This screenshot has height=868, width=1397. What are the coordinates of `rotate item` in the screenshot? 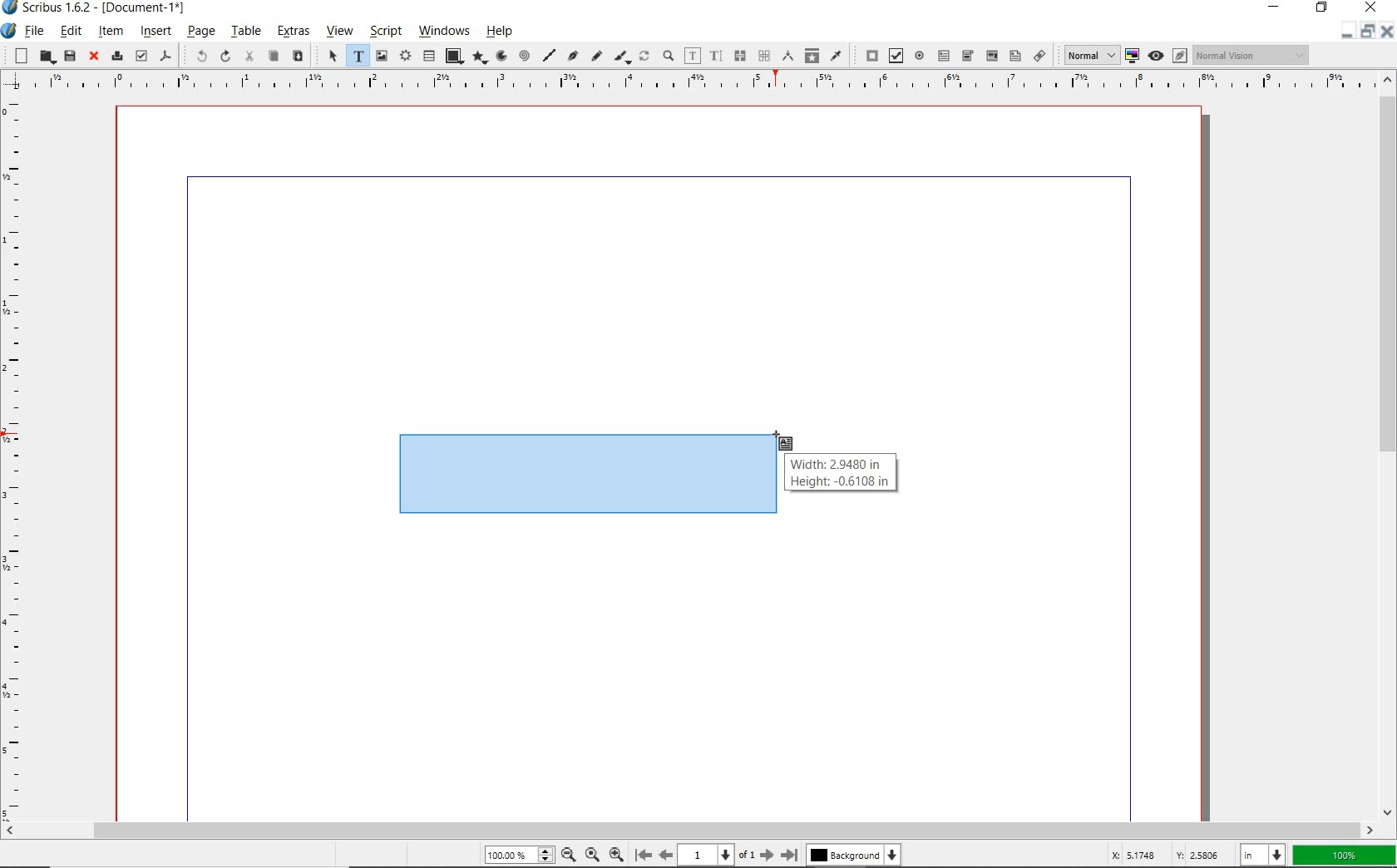 It's located at (644, 57).